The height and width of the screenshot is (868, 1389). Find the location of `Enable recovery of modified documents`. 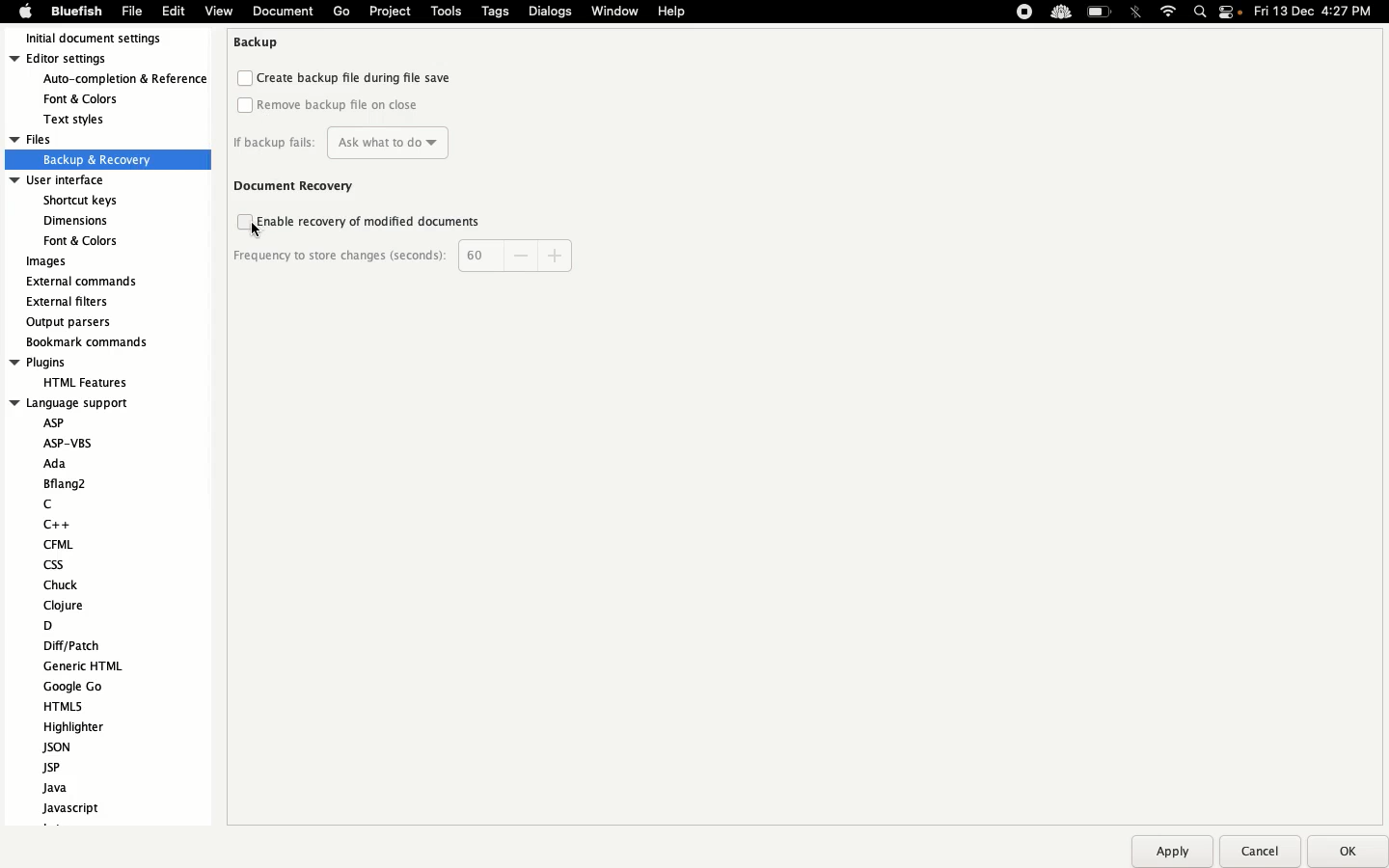

Enable recovery of modified documents is located at coordinates (363, 222).